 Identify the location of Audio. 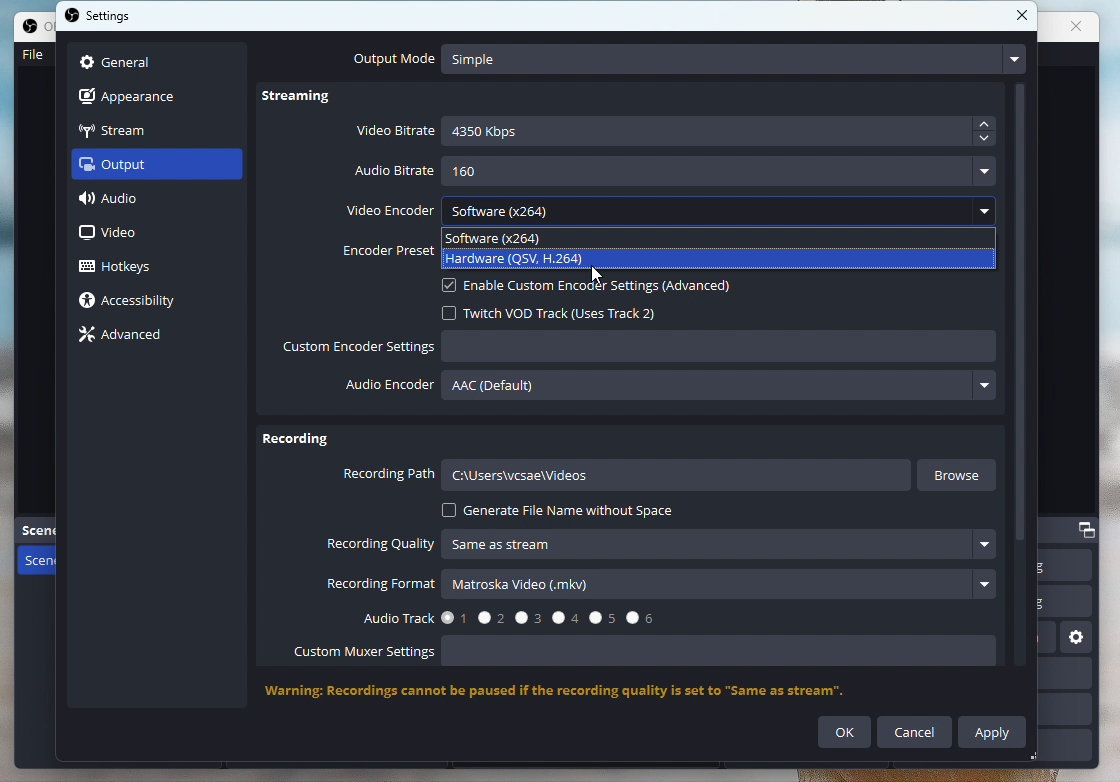
(131, 202).